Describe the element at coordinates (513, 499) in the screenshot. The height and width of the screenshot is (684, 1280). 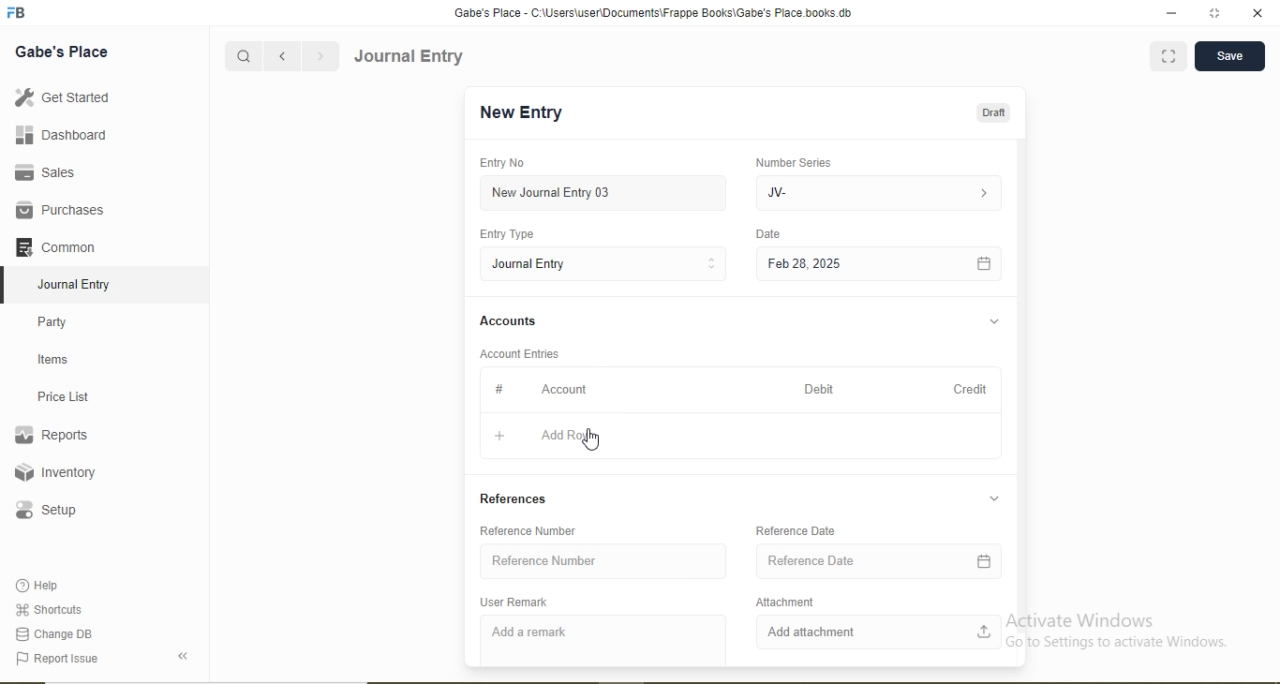
I see `References` at that location.